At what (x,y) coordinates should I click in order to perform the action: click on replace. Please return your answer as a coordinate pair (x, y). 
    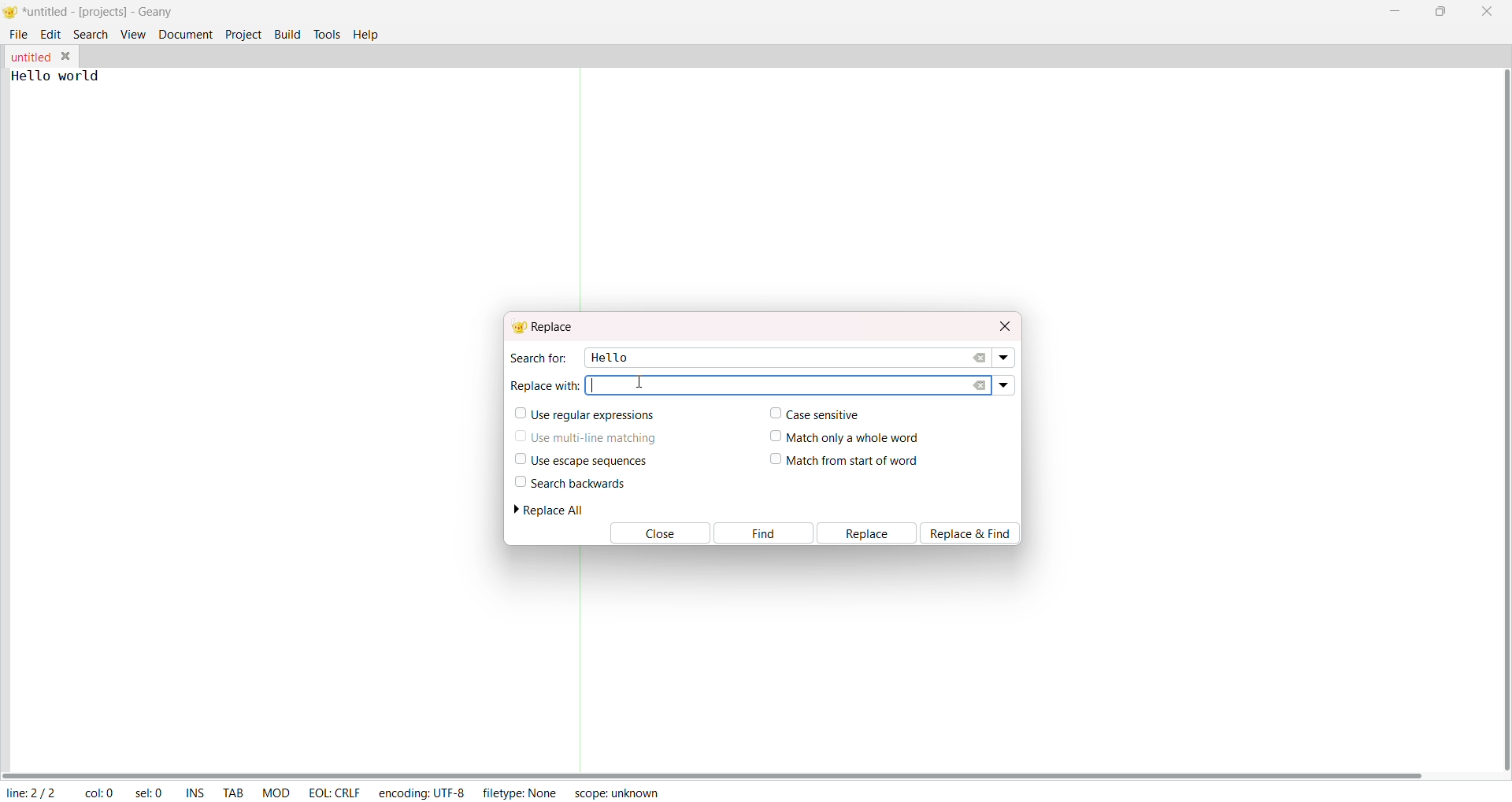
    Looking at the image, I should click on (547, 327).